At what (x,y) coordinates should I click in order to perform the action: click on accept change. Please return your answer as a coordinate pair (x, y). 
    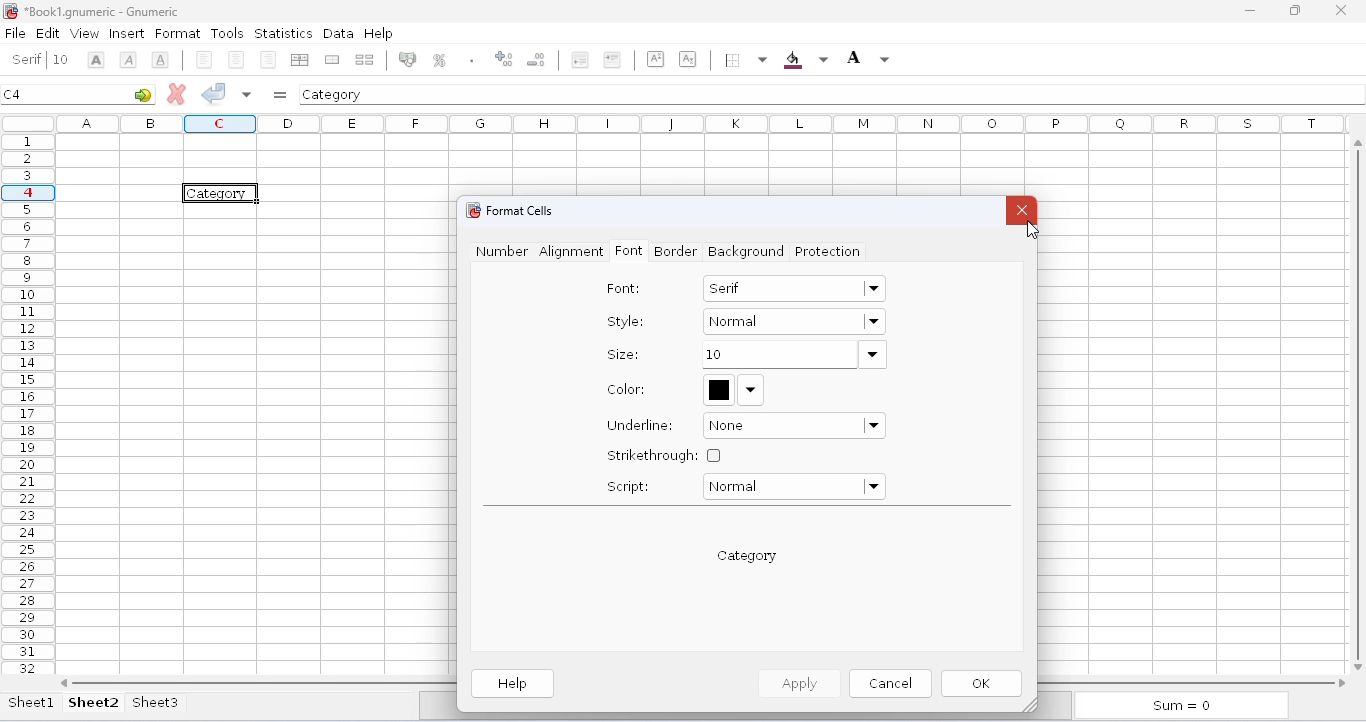
    Looking at the image, I should click on (214, 92).